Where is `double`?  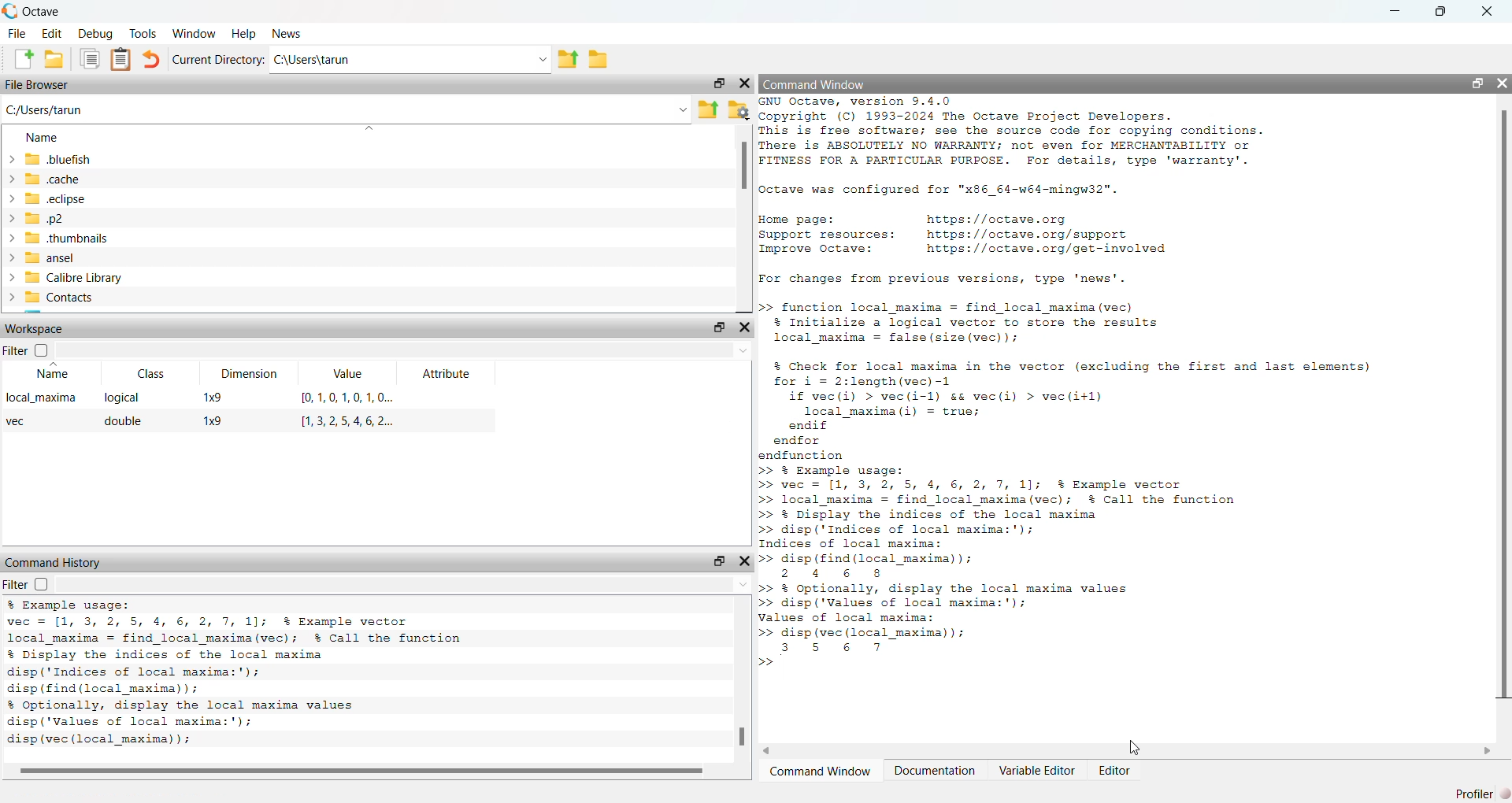 double is located at coordinates (126, 420).